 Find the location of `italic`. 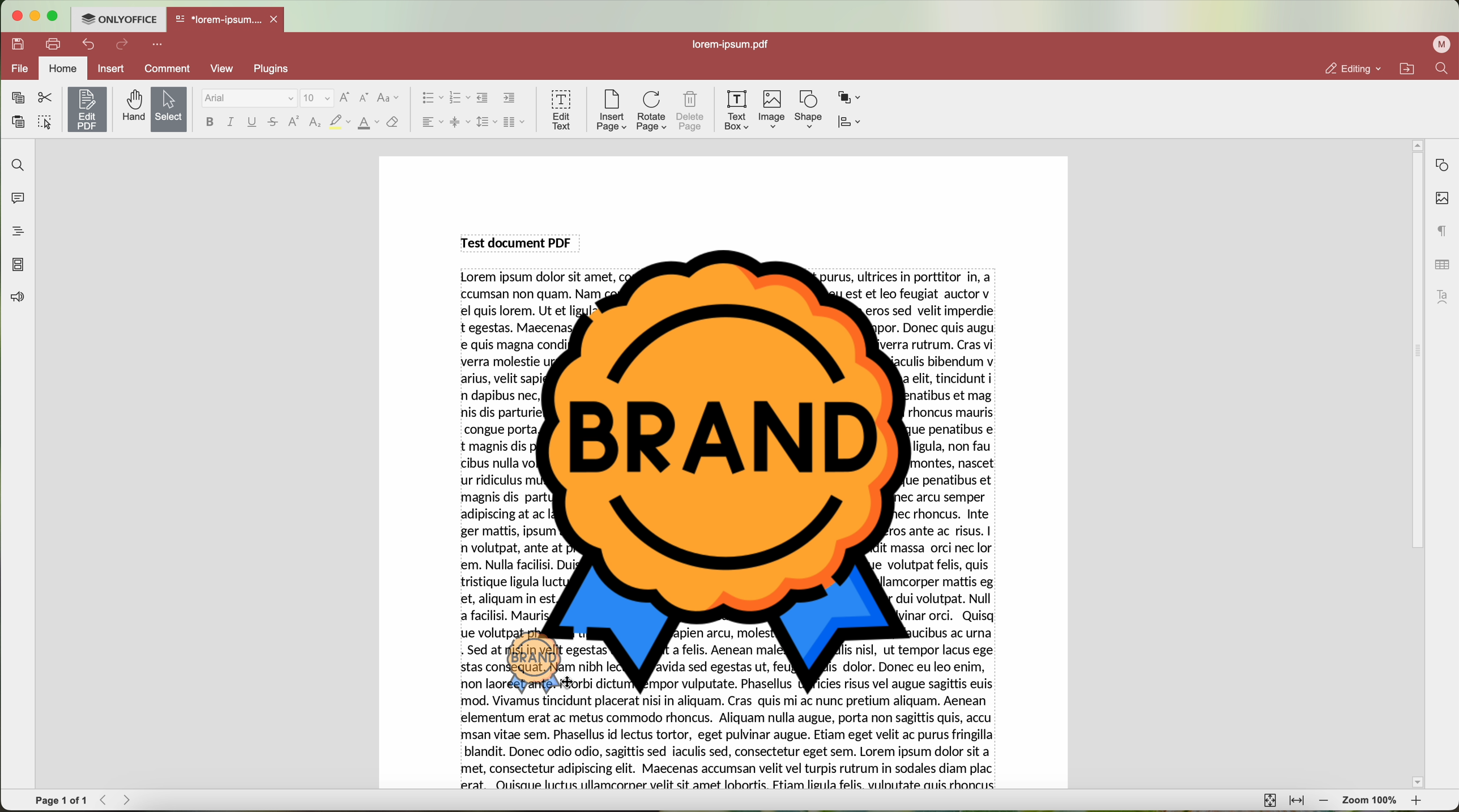

italic is located at coordinates (231, 122).